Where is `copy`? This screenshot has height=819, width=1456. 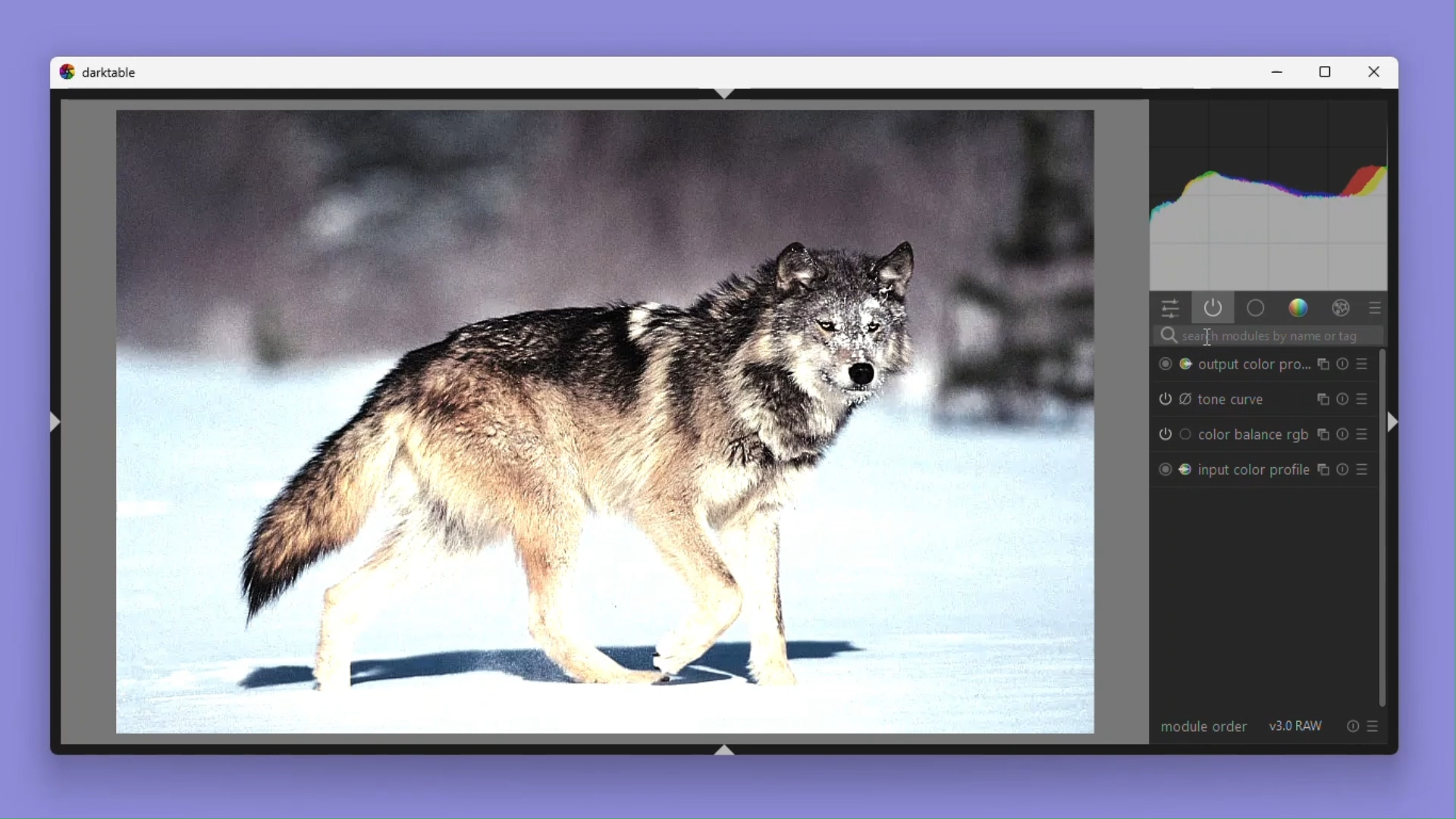
copy is located at coordinates (1324, 364).